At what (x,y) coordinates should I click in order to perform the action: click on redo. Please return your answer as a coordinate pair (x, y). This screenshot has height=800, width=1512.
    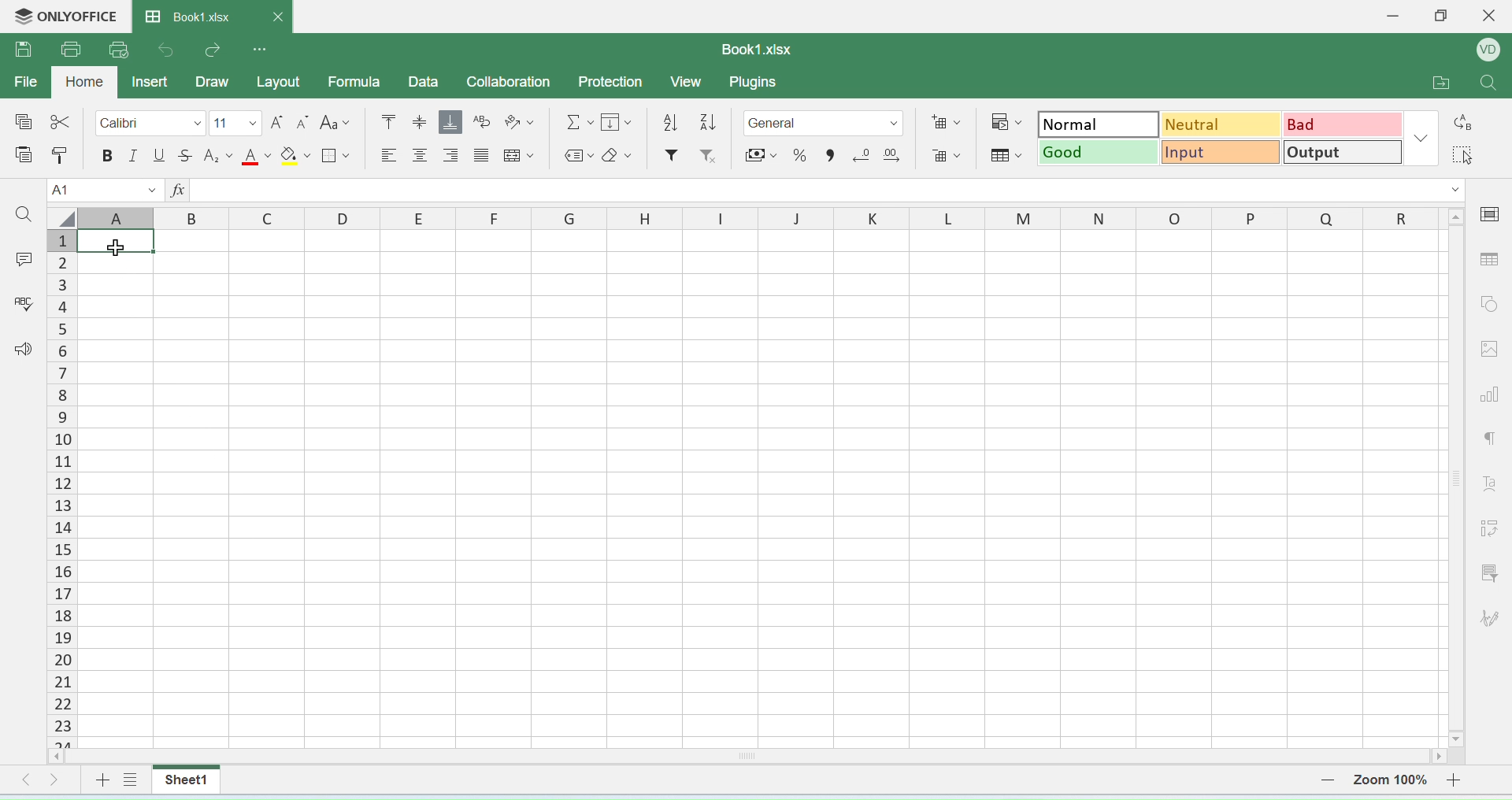
    Looking at the image, I should click on (213, 50).